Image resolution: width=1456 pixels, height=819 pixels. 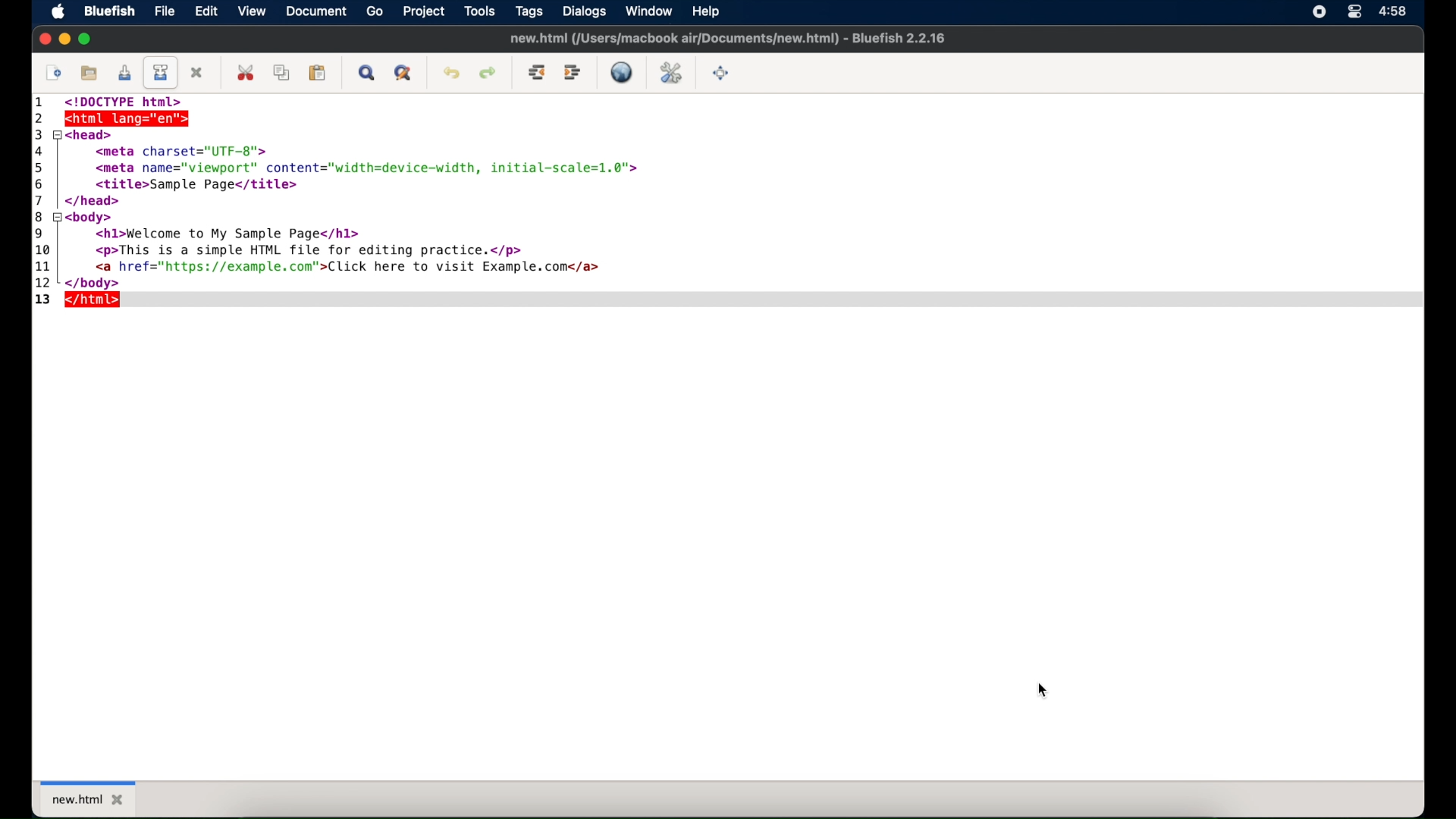 I want to click on tags, so click(x=530, y=12).